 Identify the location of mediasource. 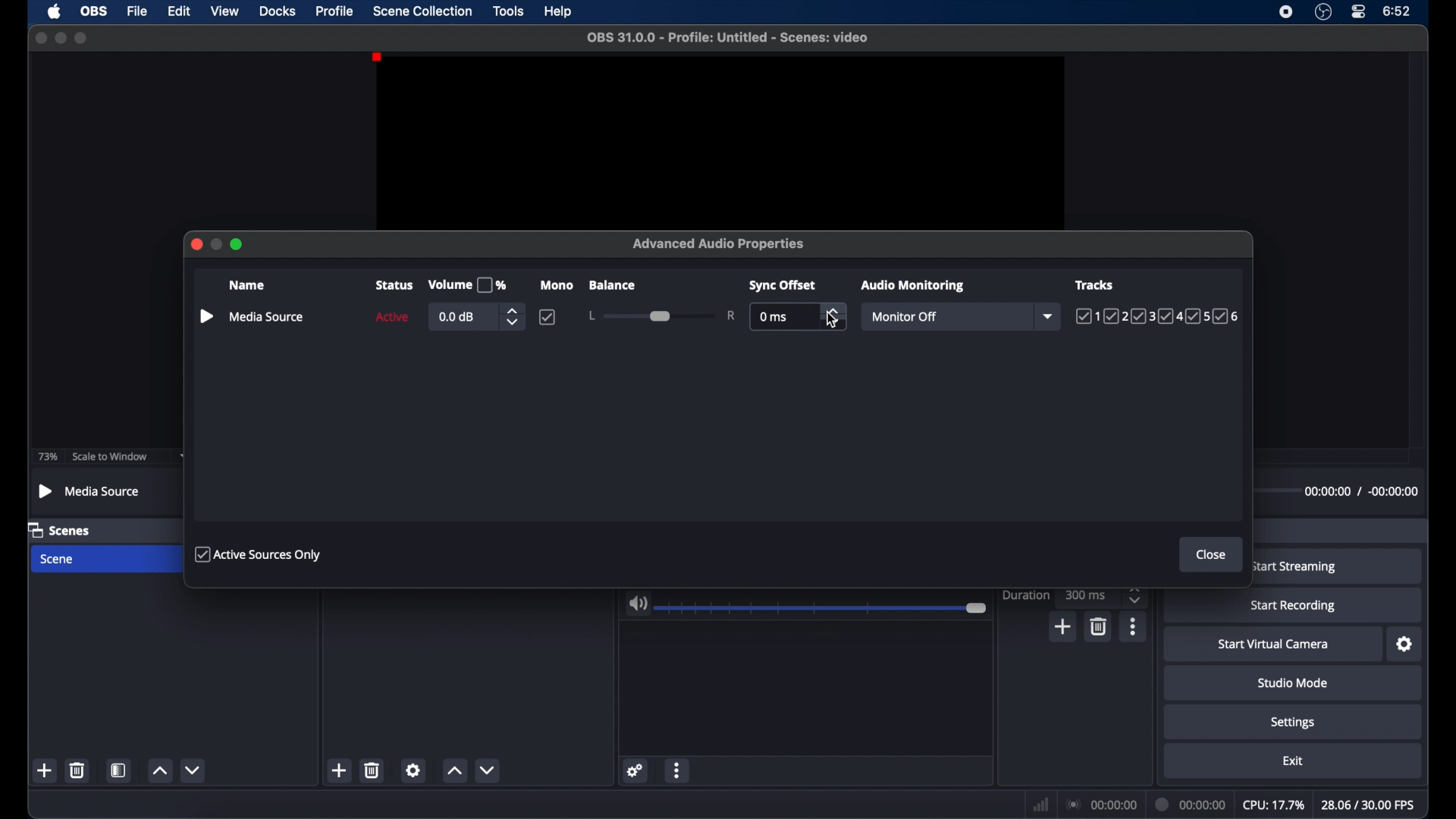
(265, 317).